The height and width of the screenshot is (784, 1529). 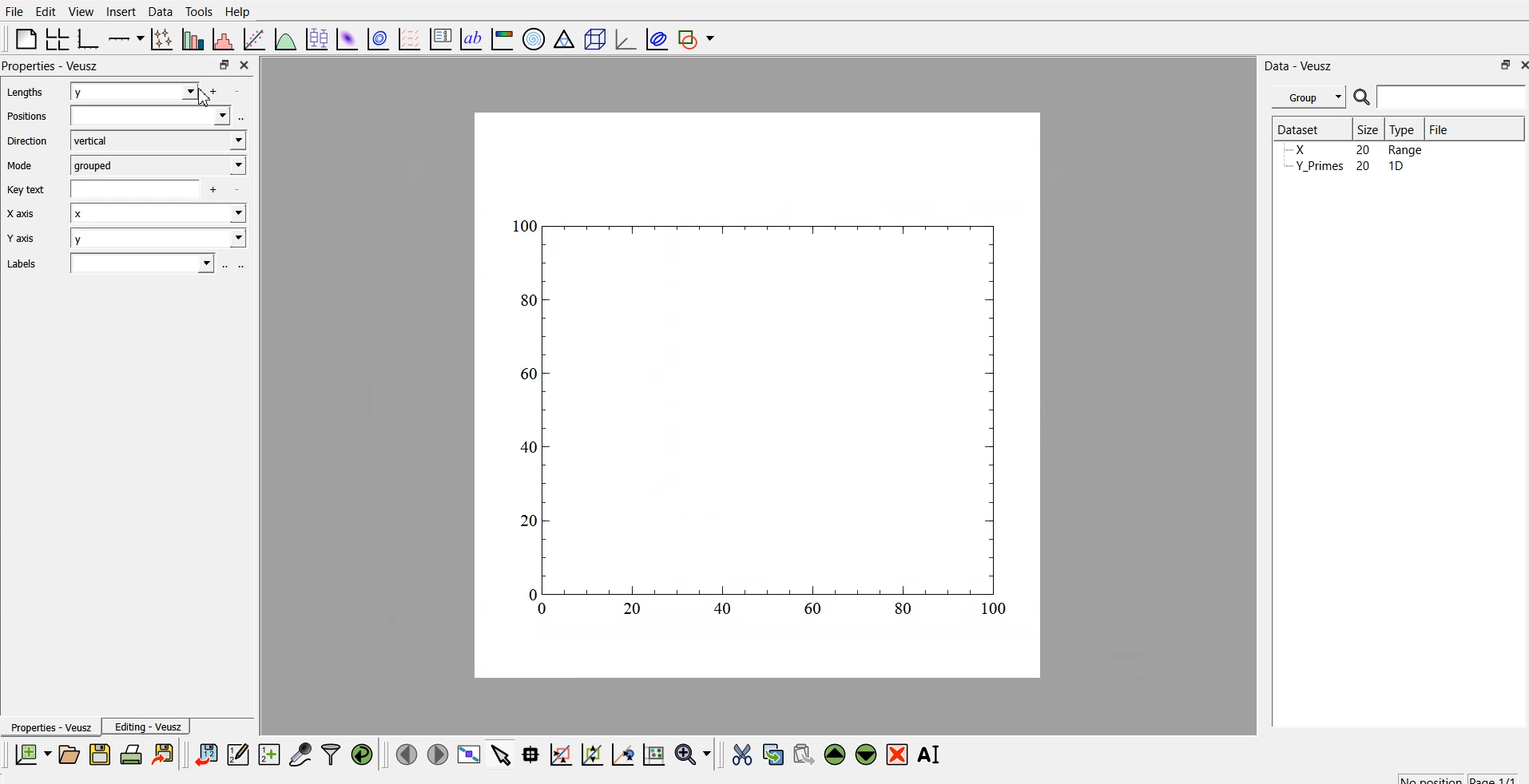 I want to click on plot box plots, so click(x=315, y=38).